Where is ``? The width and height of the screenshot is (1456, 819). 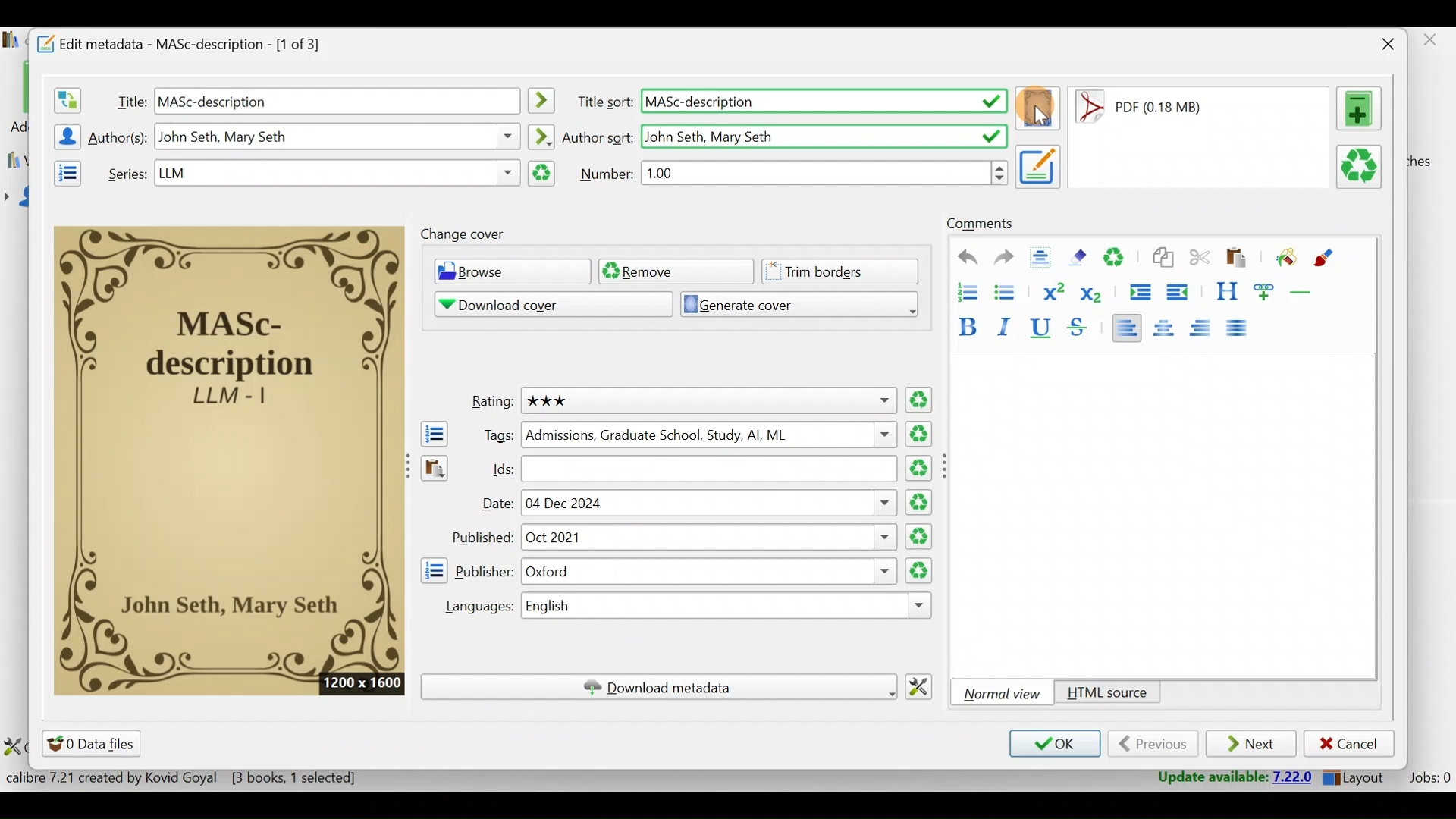  is located at coordinates (708, 538).